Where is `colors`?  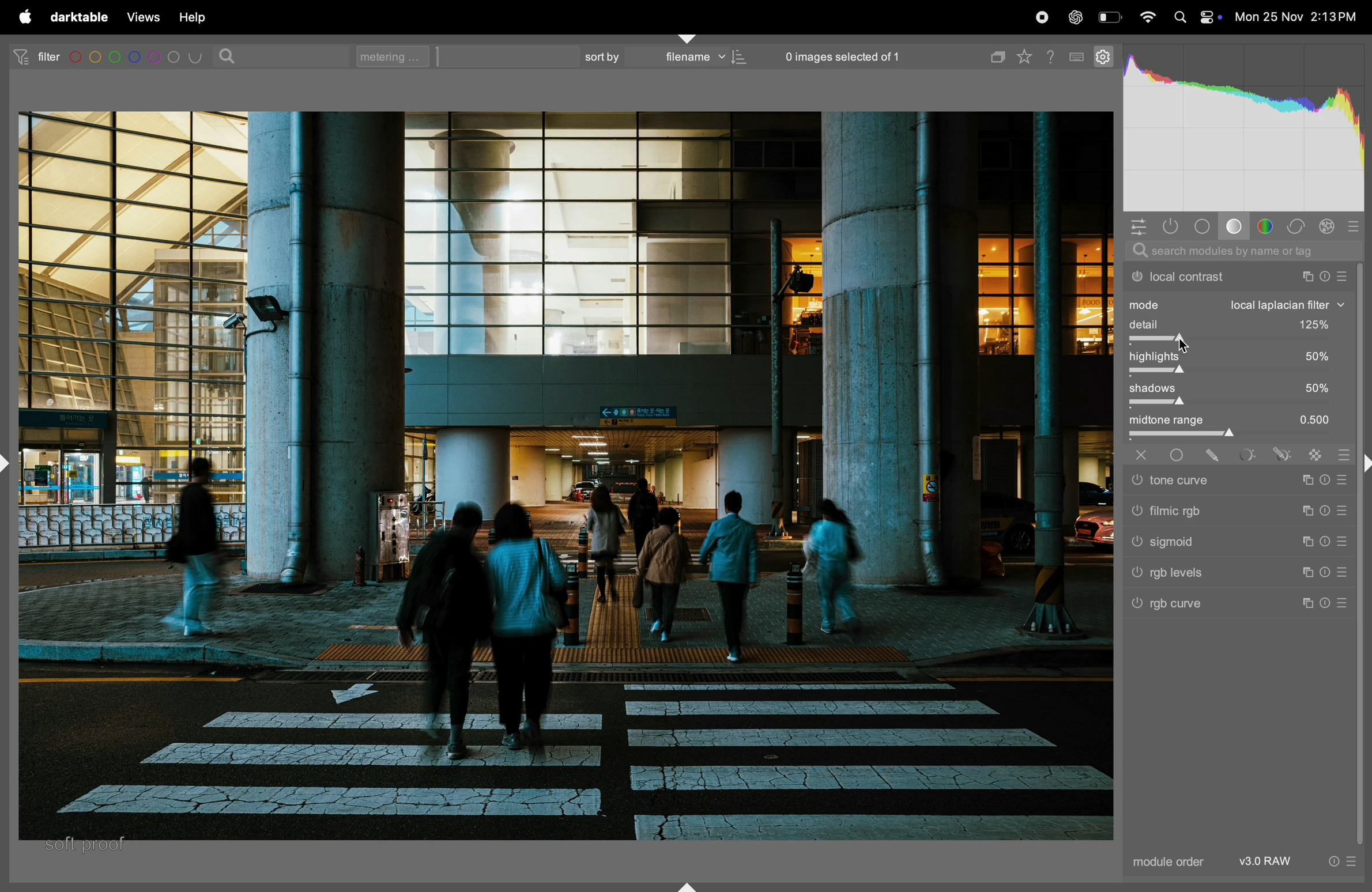 colors is located at coordinates (1267, 225).